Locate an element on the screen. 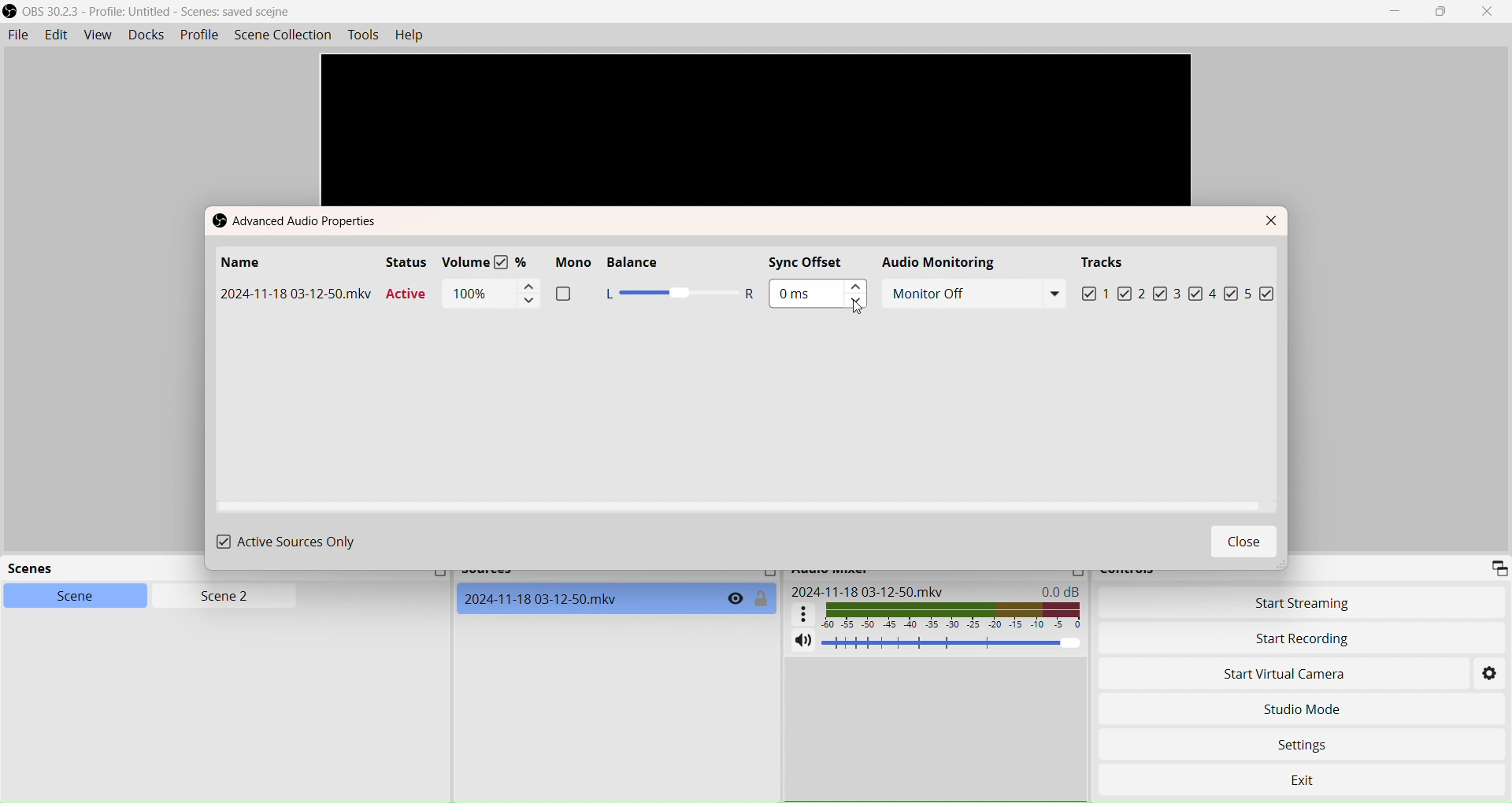 This screenshot has width=1512, height=803. Name is located at coordinates (295, 294).